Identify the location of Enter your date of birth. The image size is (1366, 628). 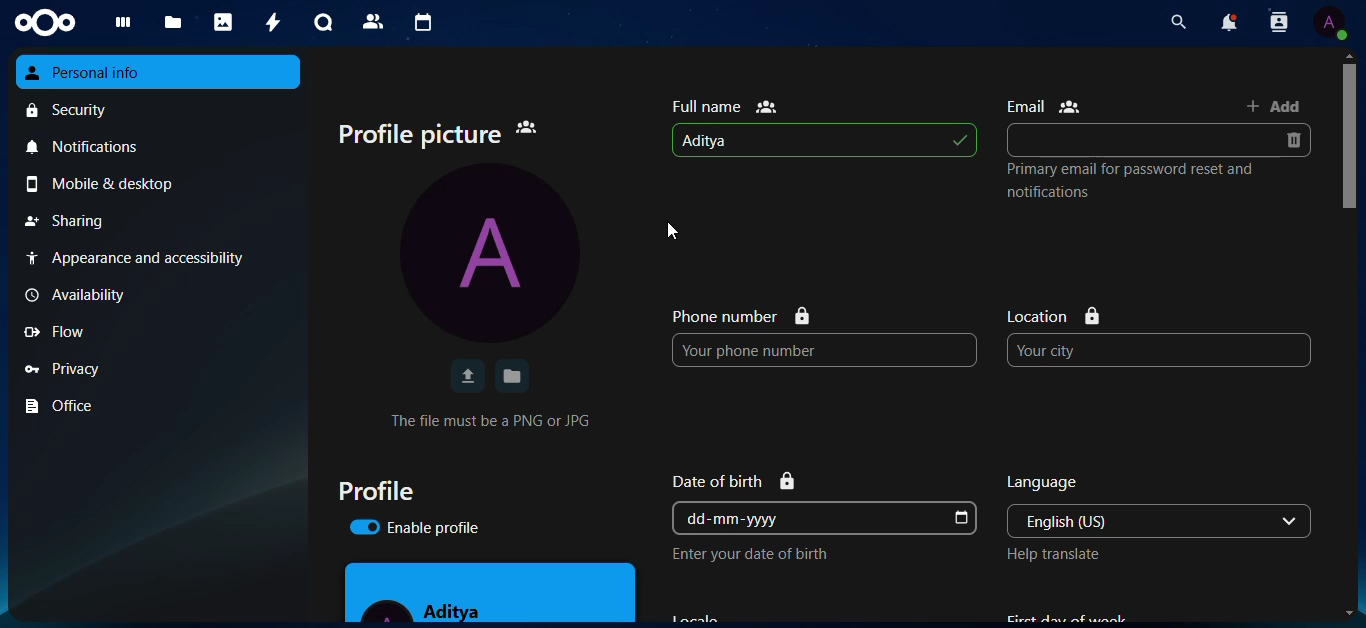
(749, 554).